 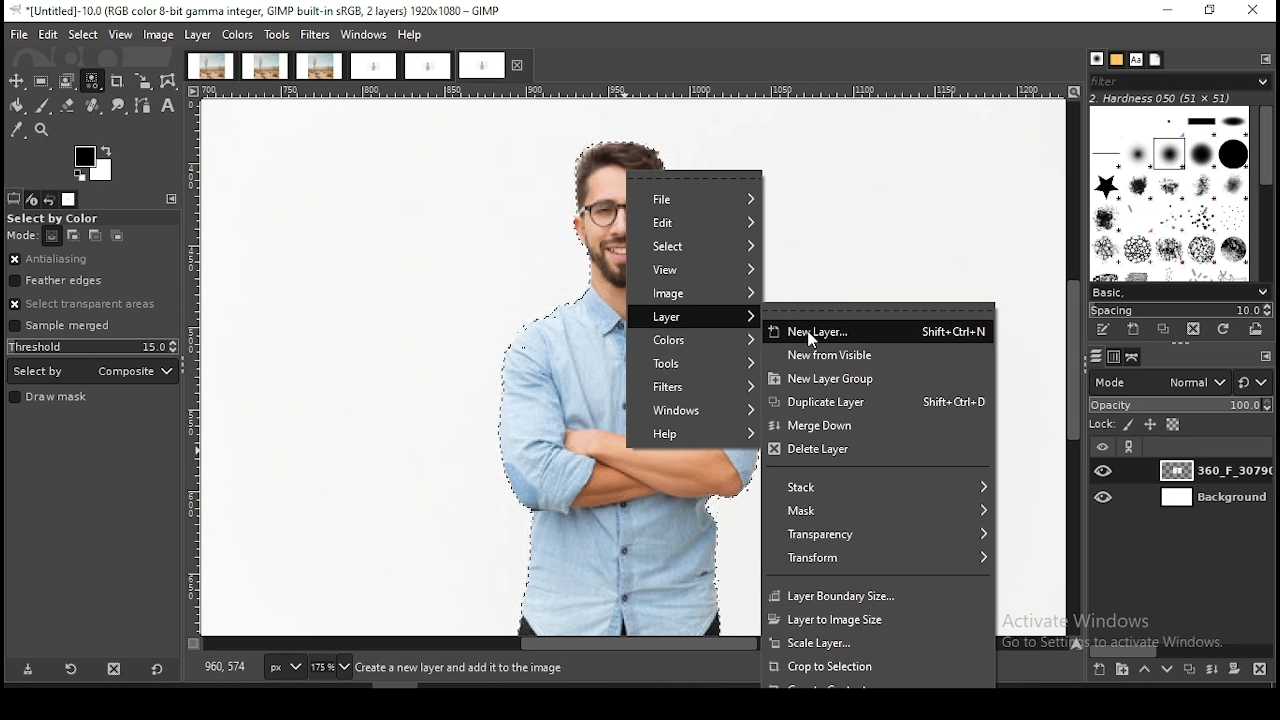 I want to click on edit, so click(x=696, y=223).